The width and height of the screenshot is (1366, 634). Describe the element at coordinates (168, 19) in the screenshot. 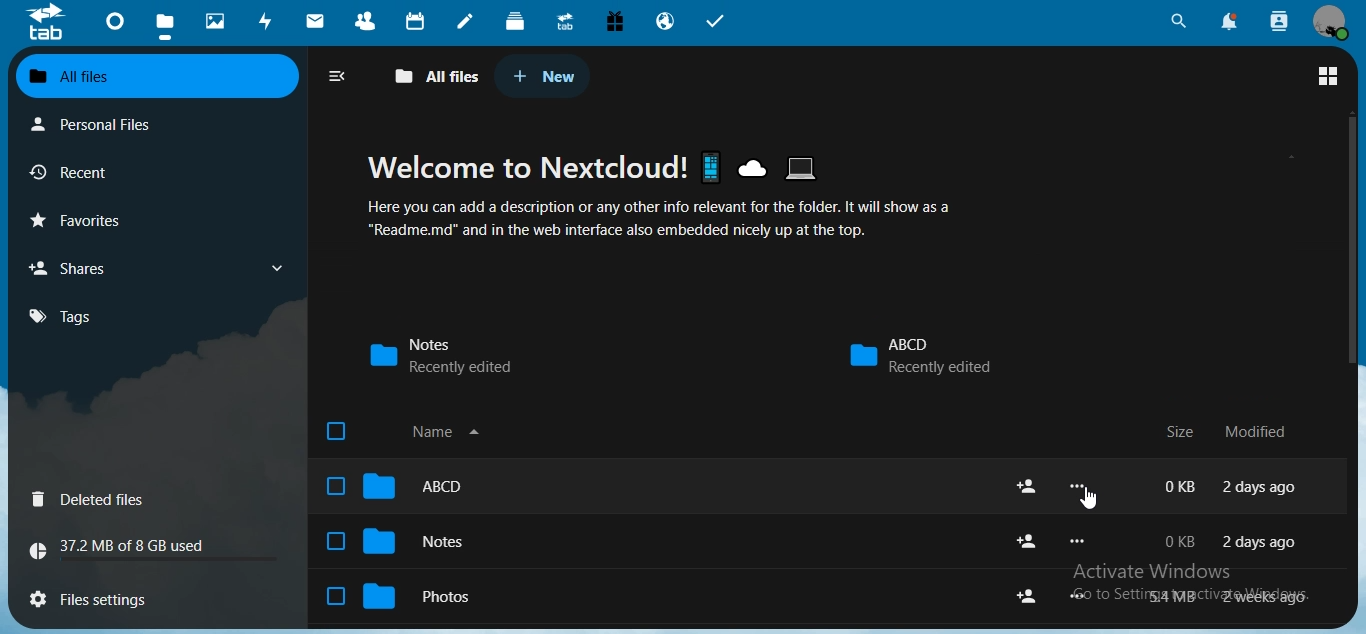

I see `files` at that location.